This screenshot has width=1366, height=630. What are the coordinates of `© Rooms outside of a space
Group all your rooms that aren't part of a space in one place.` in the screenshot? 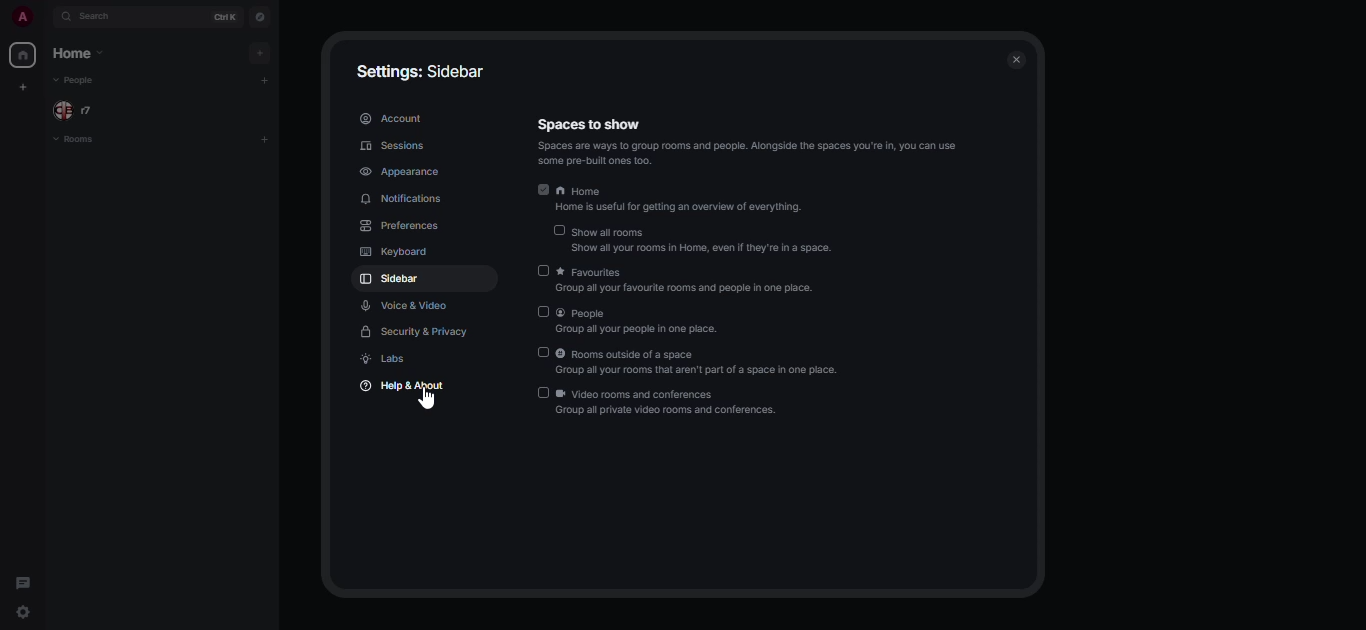 It's located at (688, 362).